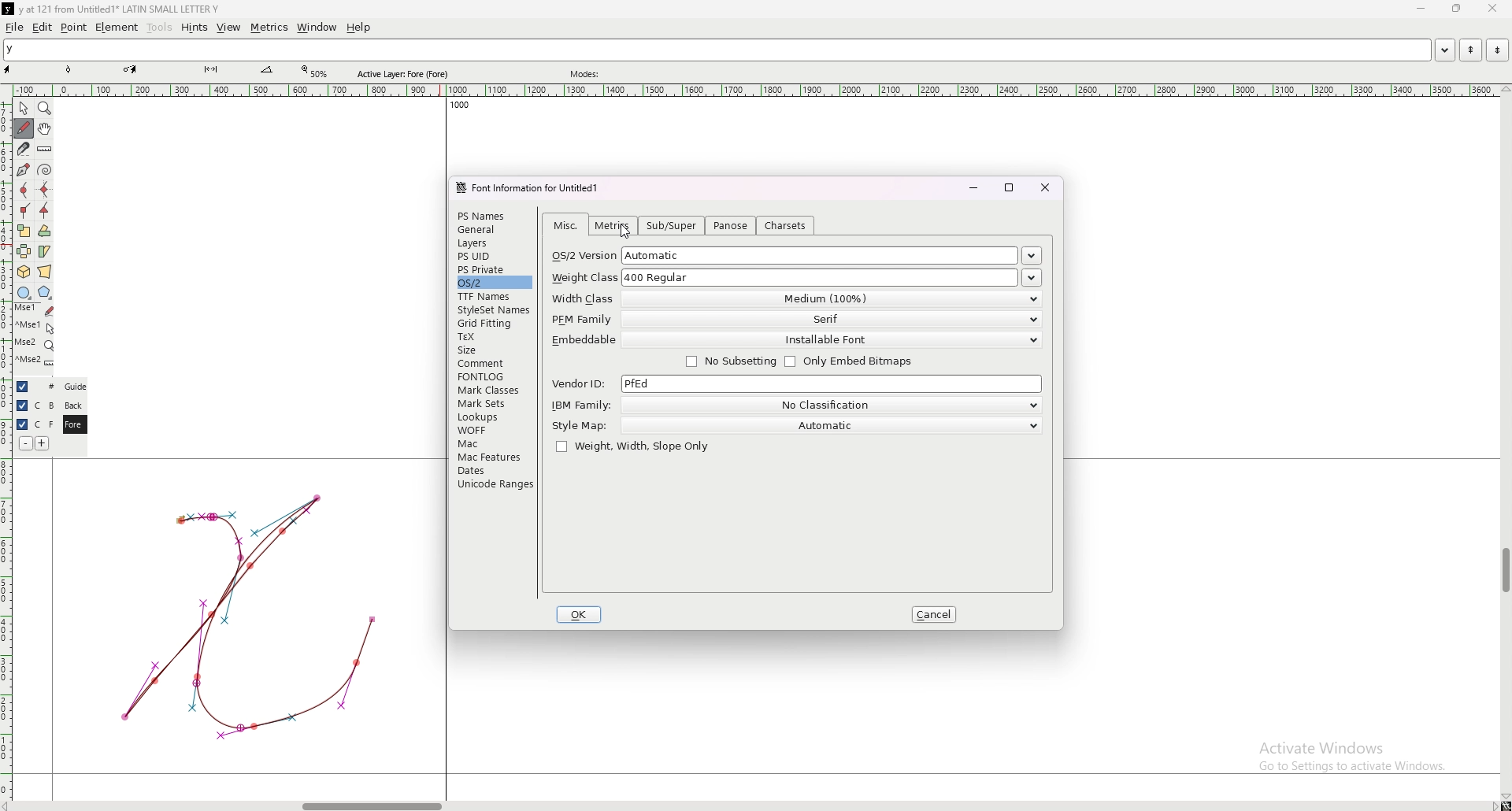  Describe the element at coordinates (1469, 50) in the screenshot. I see `previous word` at that location.